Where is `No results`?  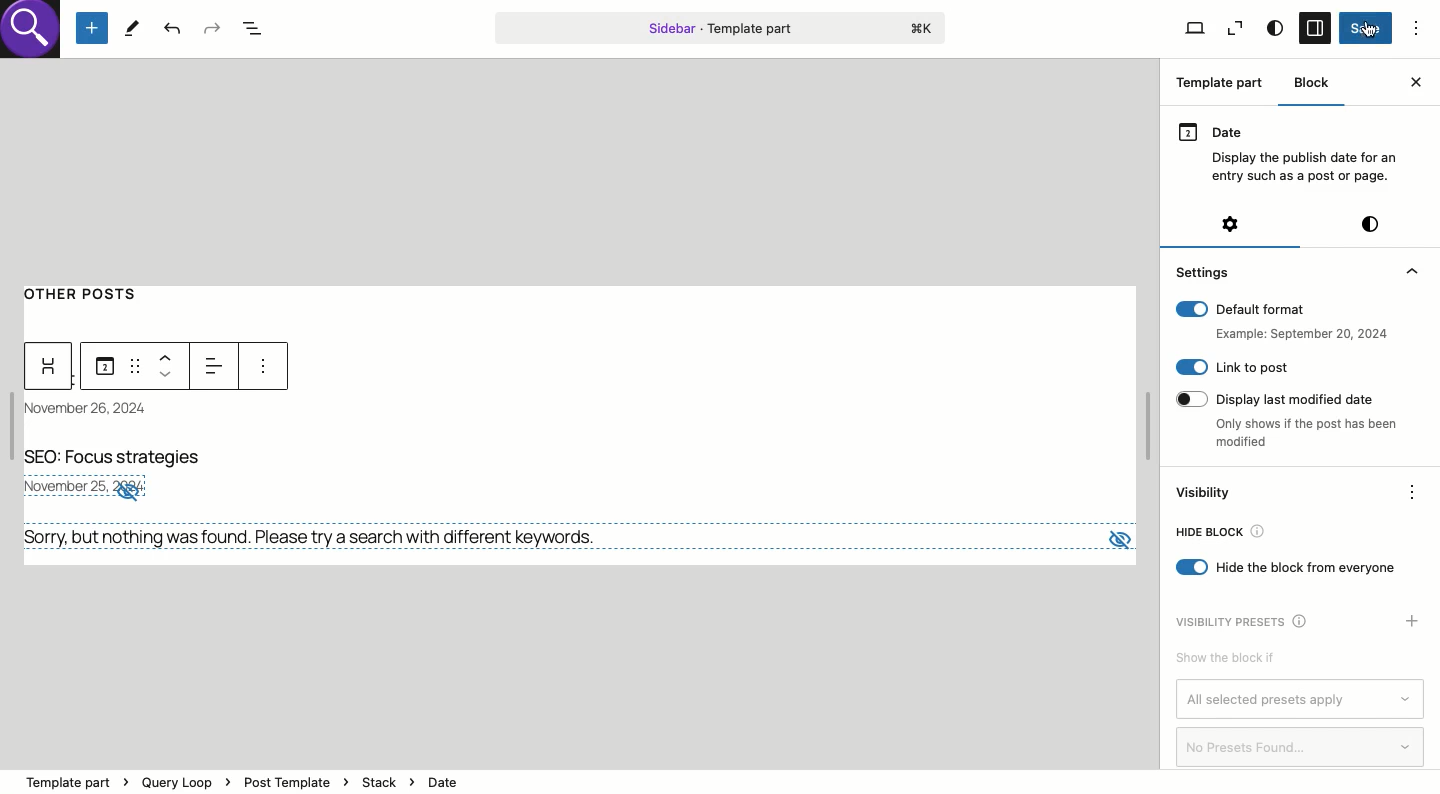 No results is located at coordinates (318, 537).